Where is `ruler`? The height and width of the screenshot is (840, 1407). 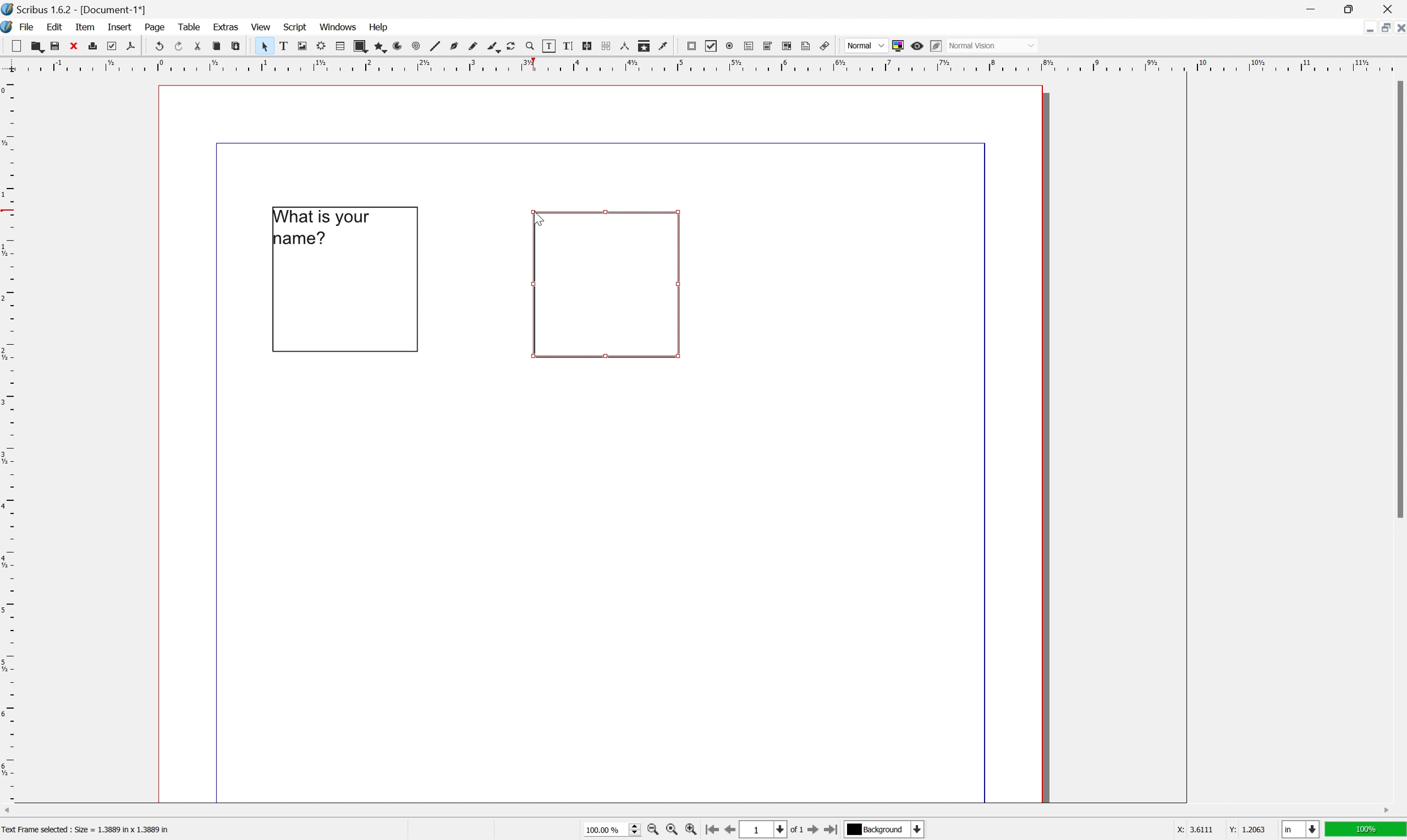
ruler is located at coordinates (9, 438).